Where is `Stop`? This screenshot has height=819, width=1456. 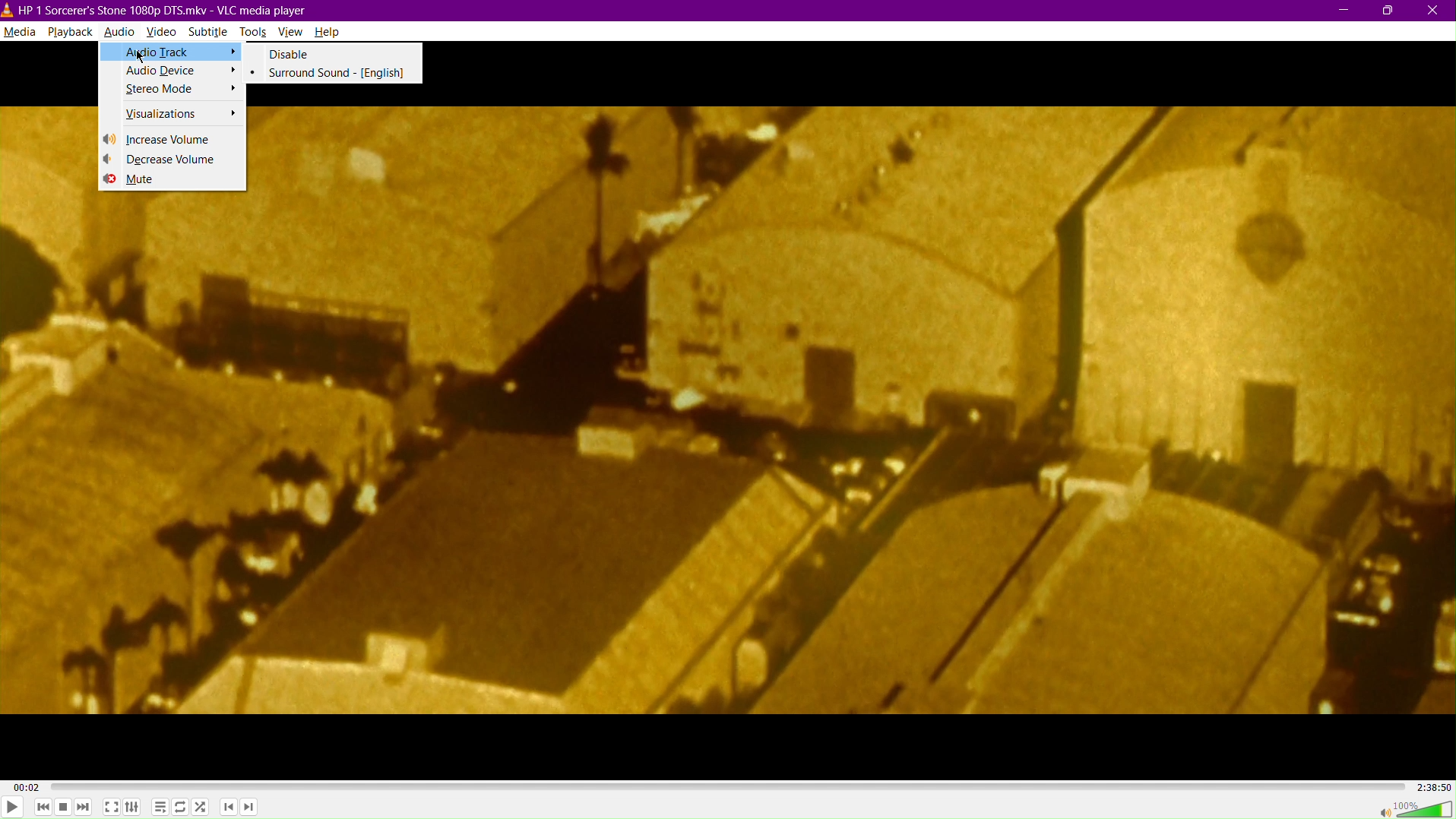
Stop is located at coordinates (63, 808).